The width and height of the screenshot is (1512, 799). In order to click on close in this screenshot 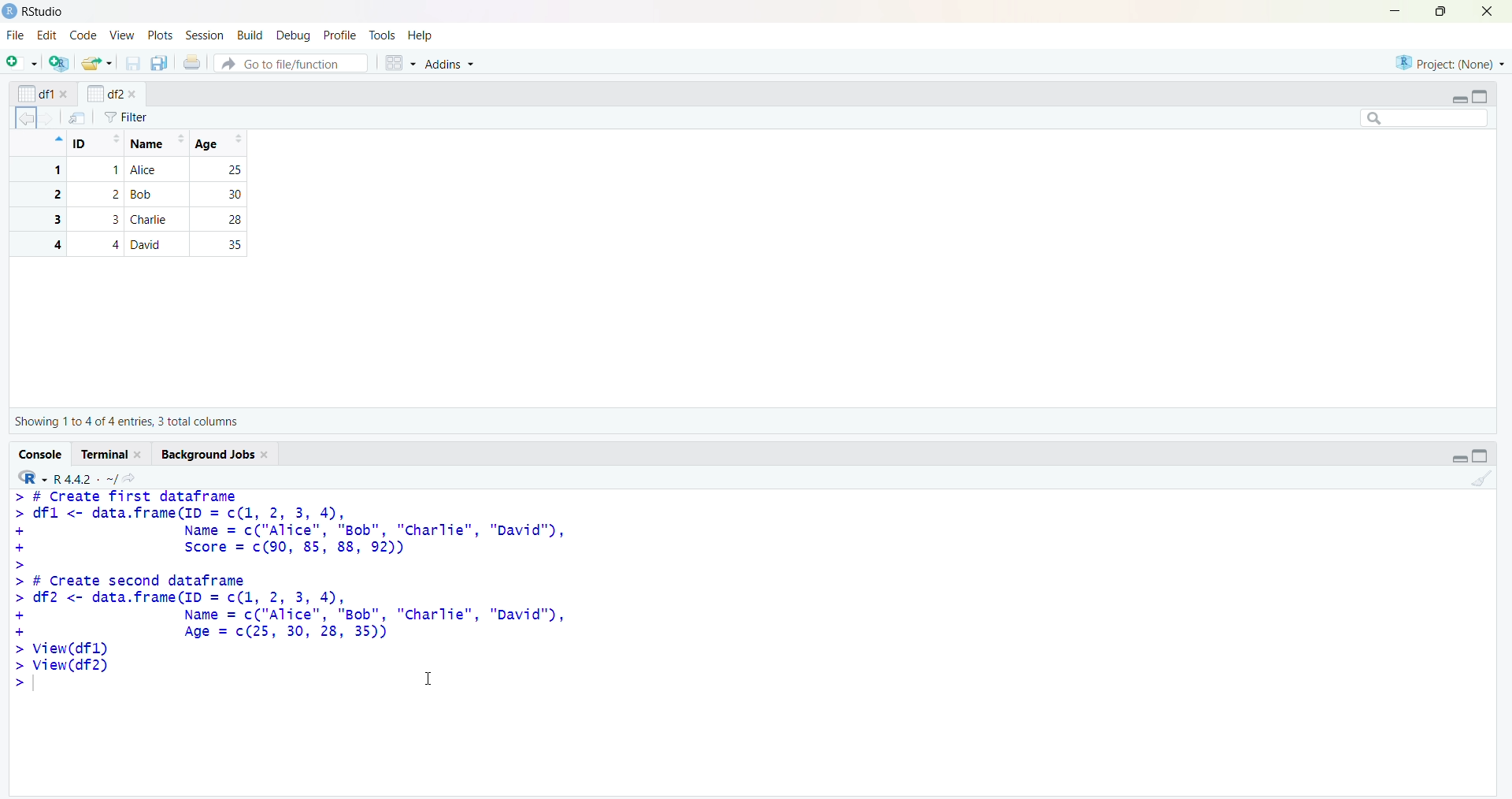, I will do `click(1488, 11)`.